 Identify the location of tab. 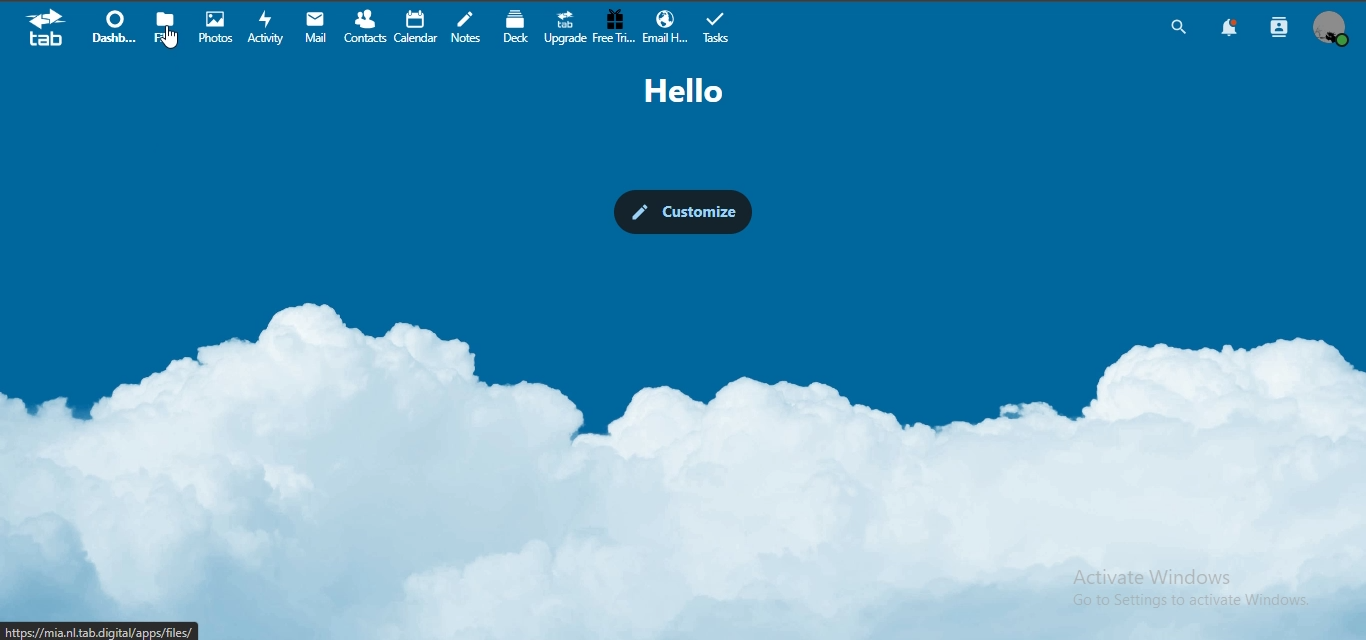
(47, 30).